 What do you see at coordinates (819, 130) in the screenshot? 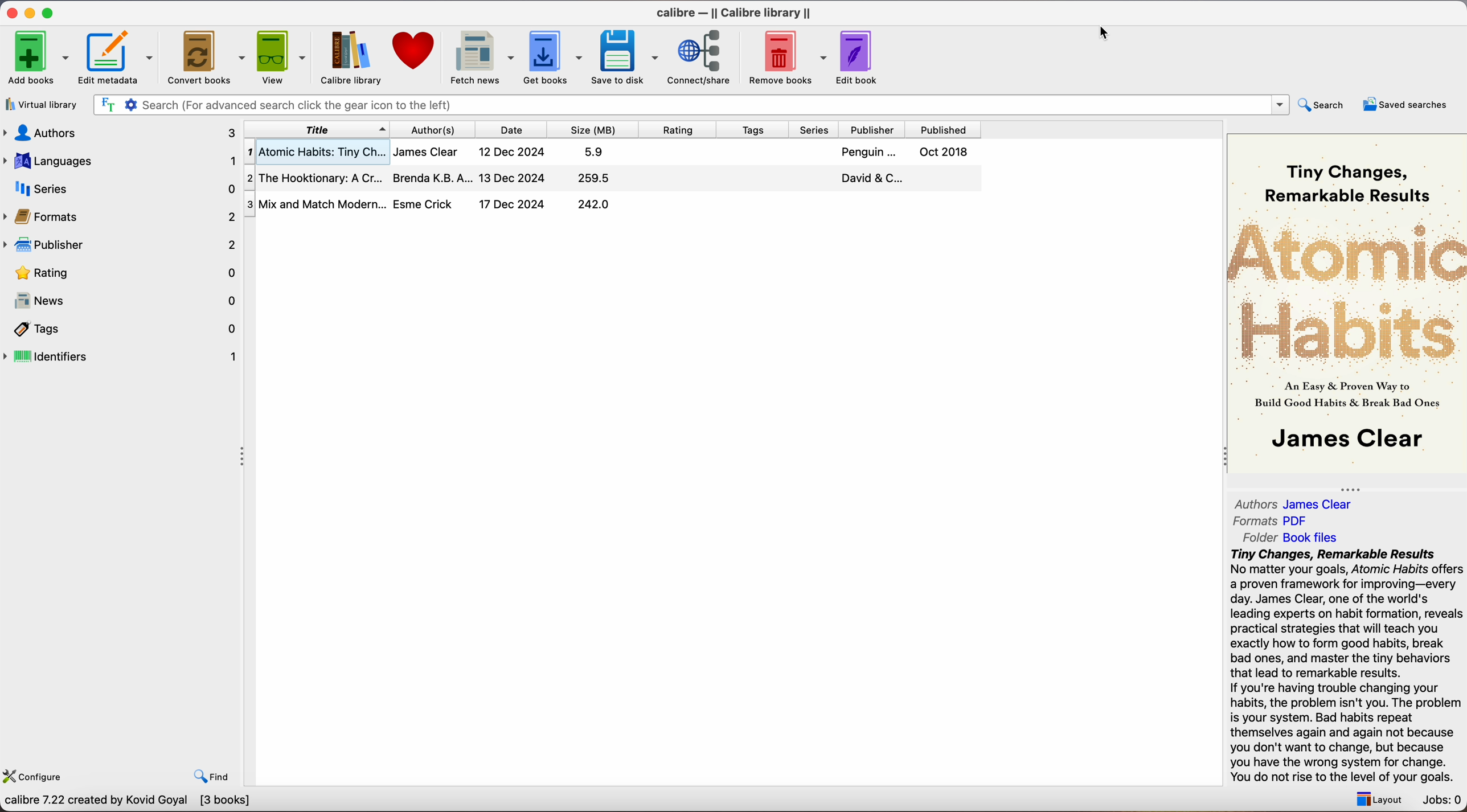
I see `series` at bounding box center [819, 130].